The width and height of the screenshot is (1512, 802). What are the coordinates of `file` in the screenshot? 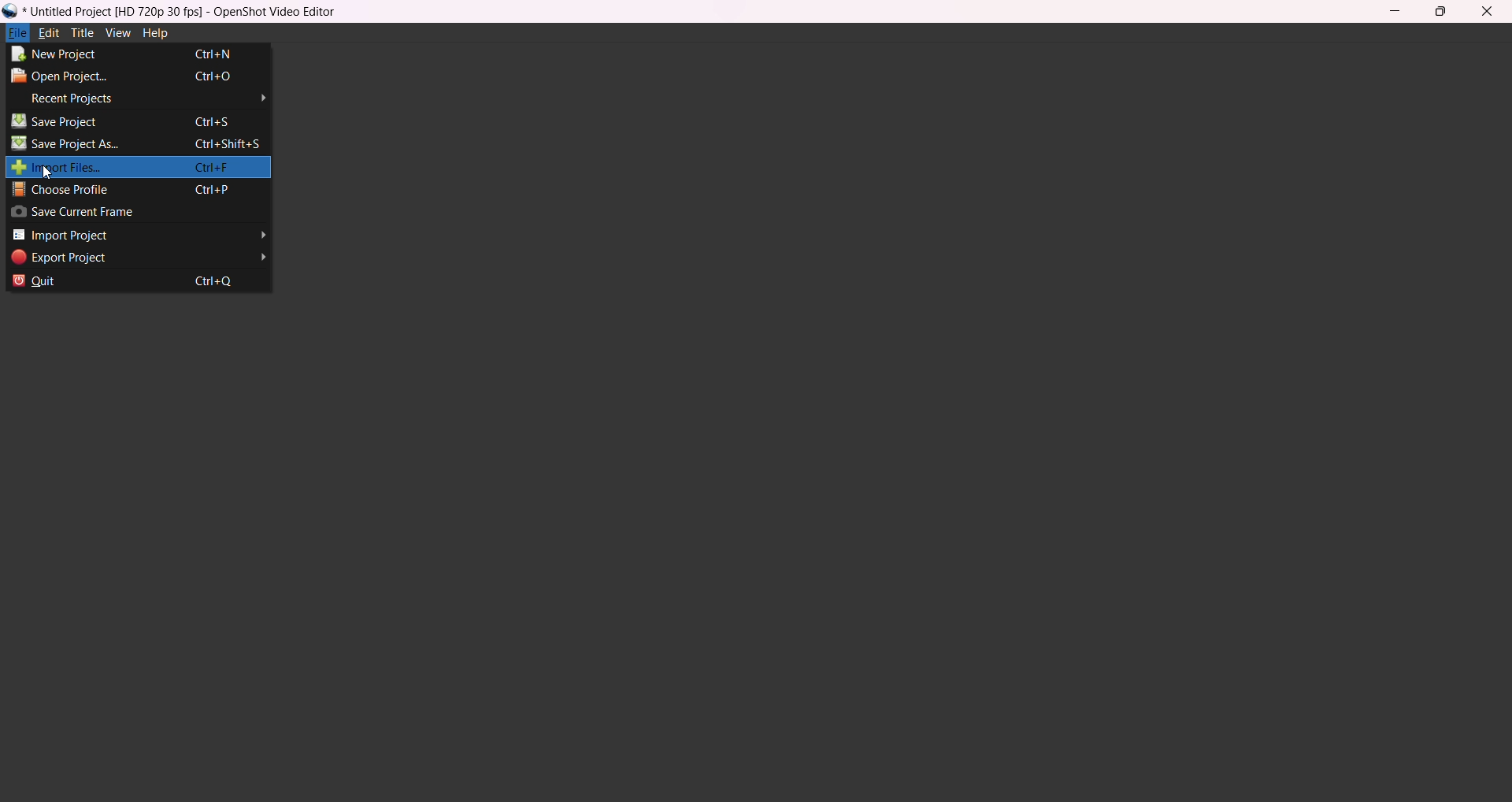 It's located at (15, 34).